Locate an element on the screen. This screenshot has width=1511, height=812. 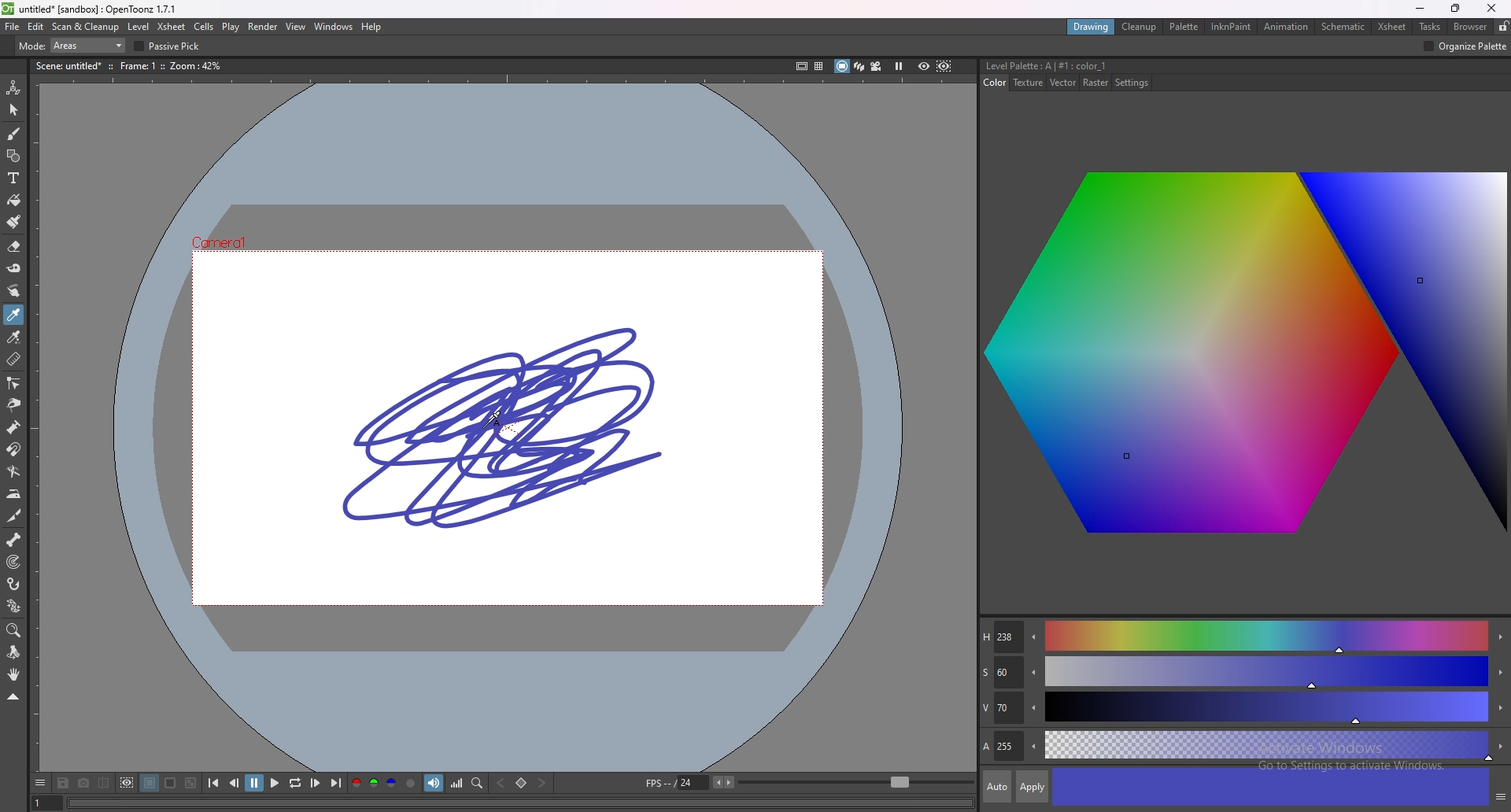
blue channel is located at coordinates (391, 782).